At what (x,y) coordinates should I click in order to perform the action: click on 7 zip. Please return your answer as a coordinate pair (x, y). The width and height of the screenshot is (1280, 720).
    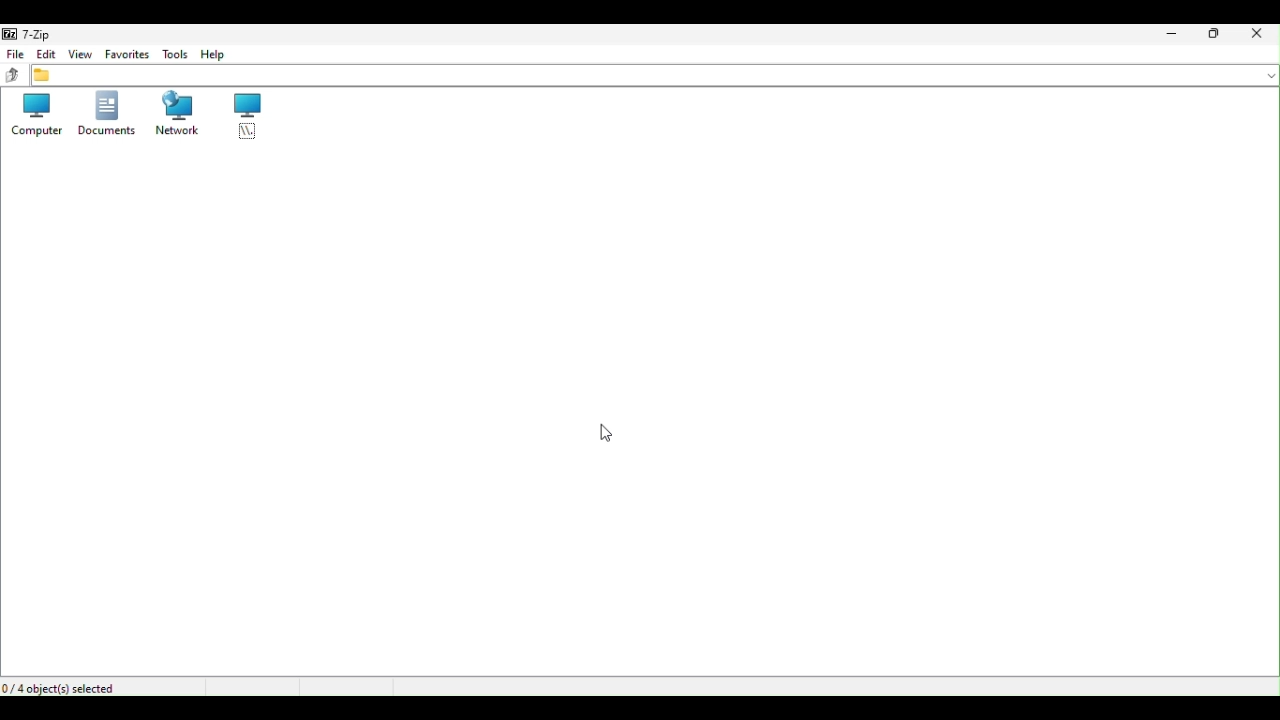
    Looking at the image, I should click on (31, 33).